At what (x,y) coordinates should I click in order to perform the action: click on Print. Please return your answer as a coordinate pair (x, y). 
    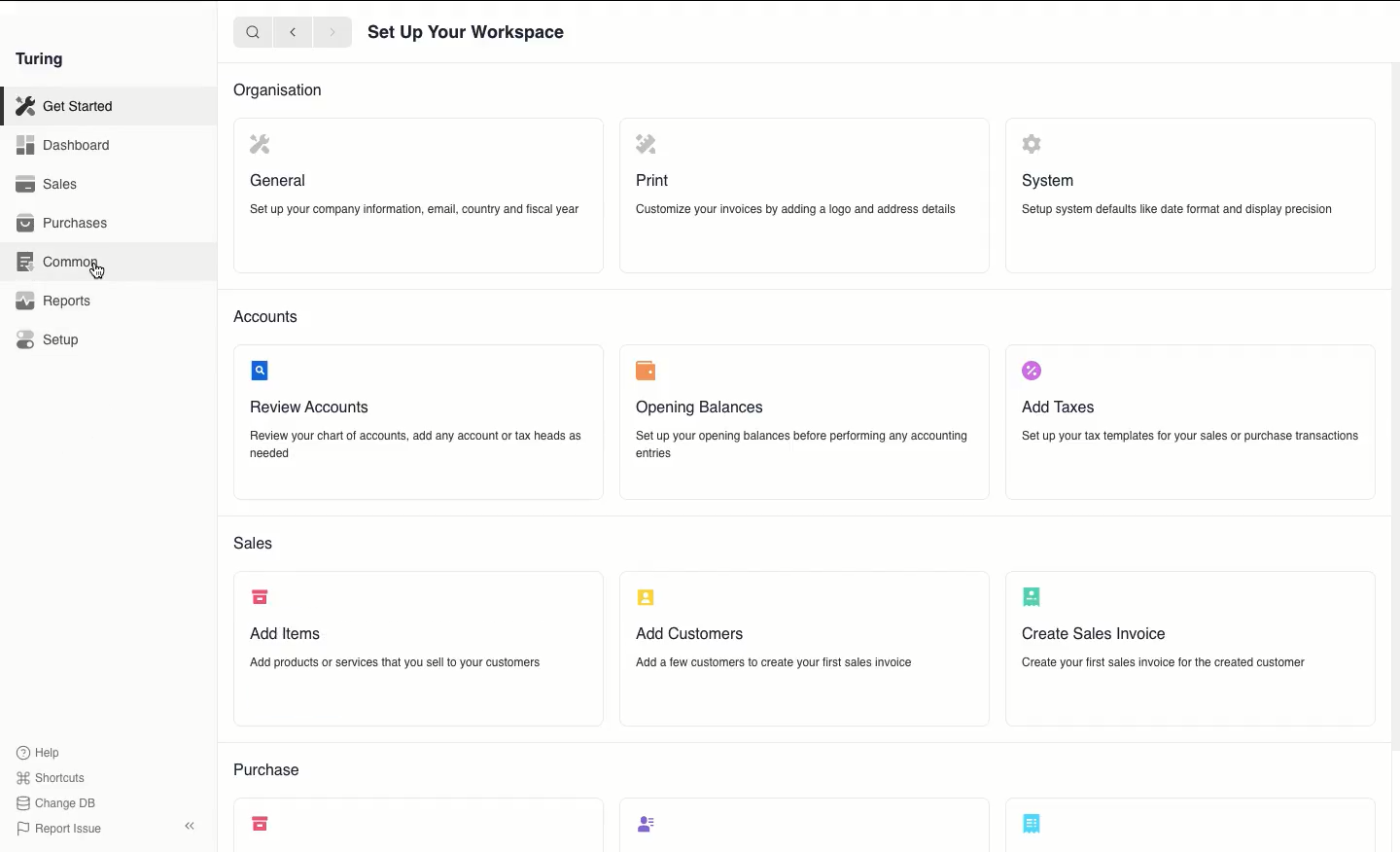
    Looking at the image, I should click on (654, 160).